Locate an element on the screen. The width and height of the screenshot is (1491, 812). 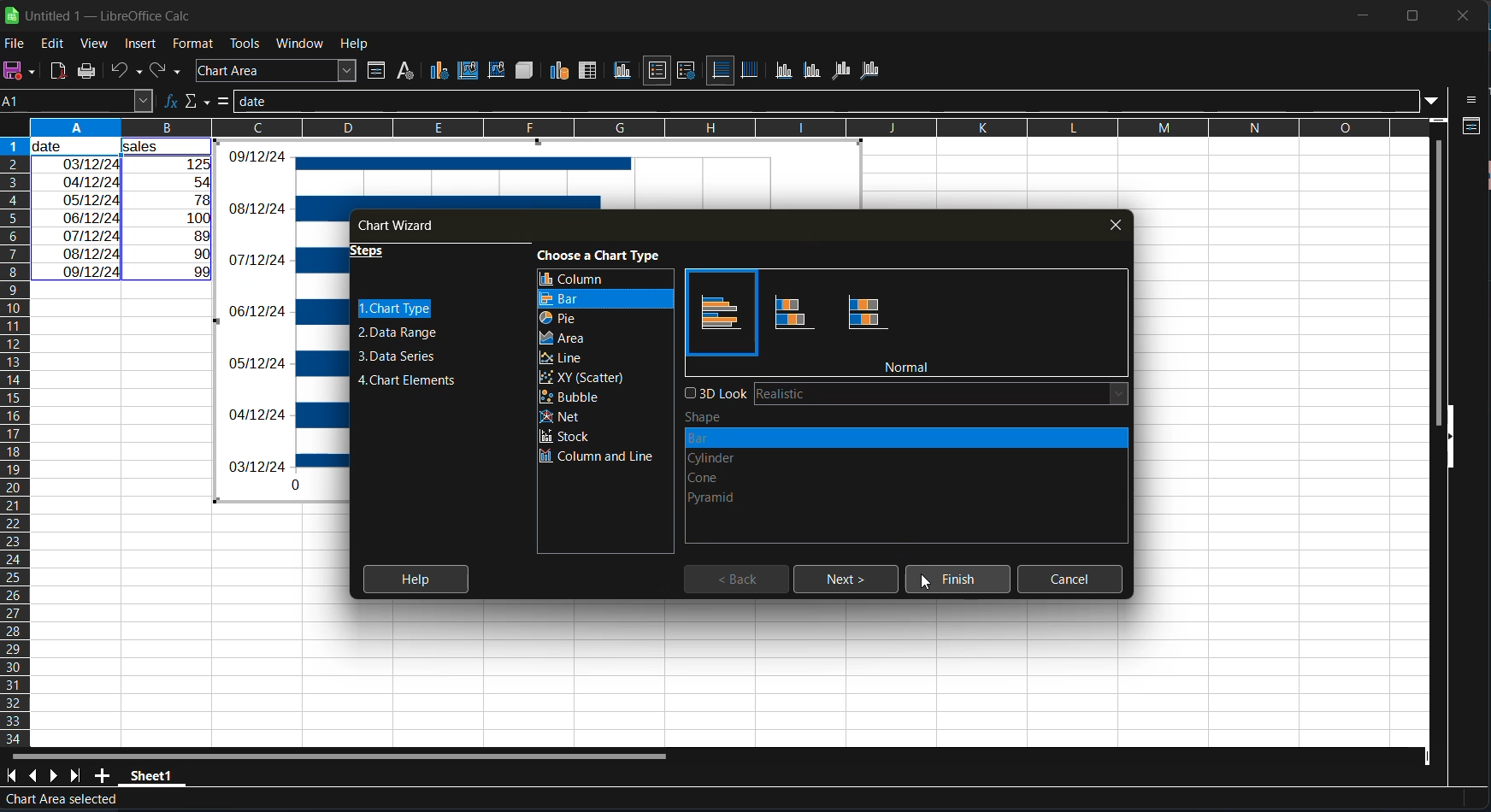
Chart area selected is located at coordinates (59, 802).